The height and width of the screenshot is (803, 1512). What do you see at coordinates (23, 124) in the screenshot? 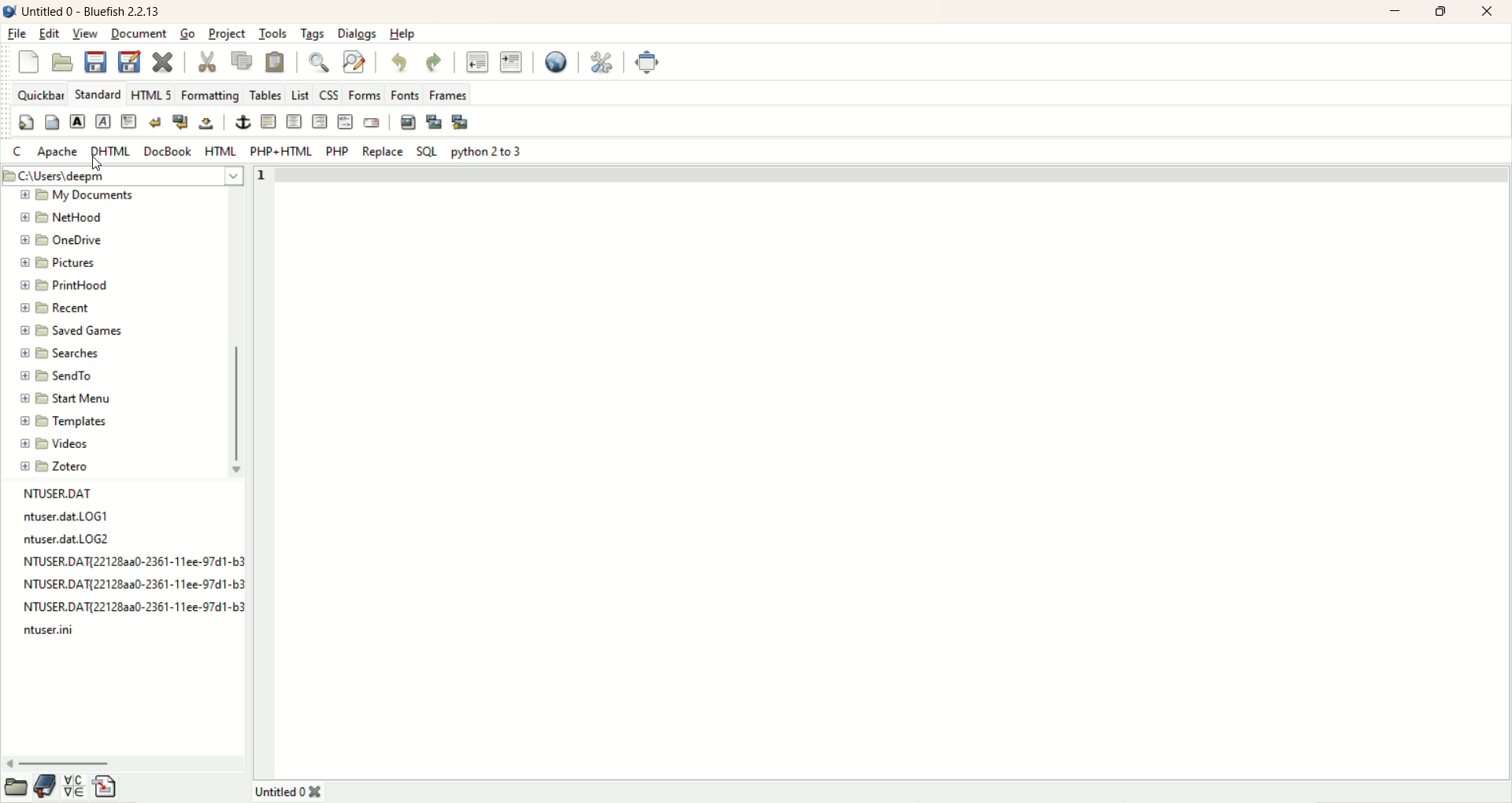
I see `quickstart` at bounding box center [23, 124].